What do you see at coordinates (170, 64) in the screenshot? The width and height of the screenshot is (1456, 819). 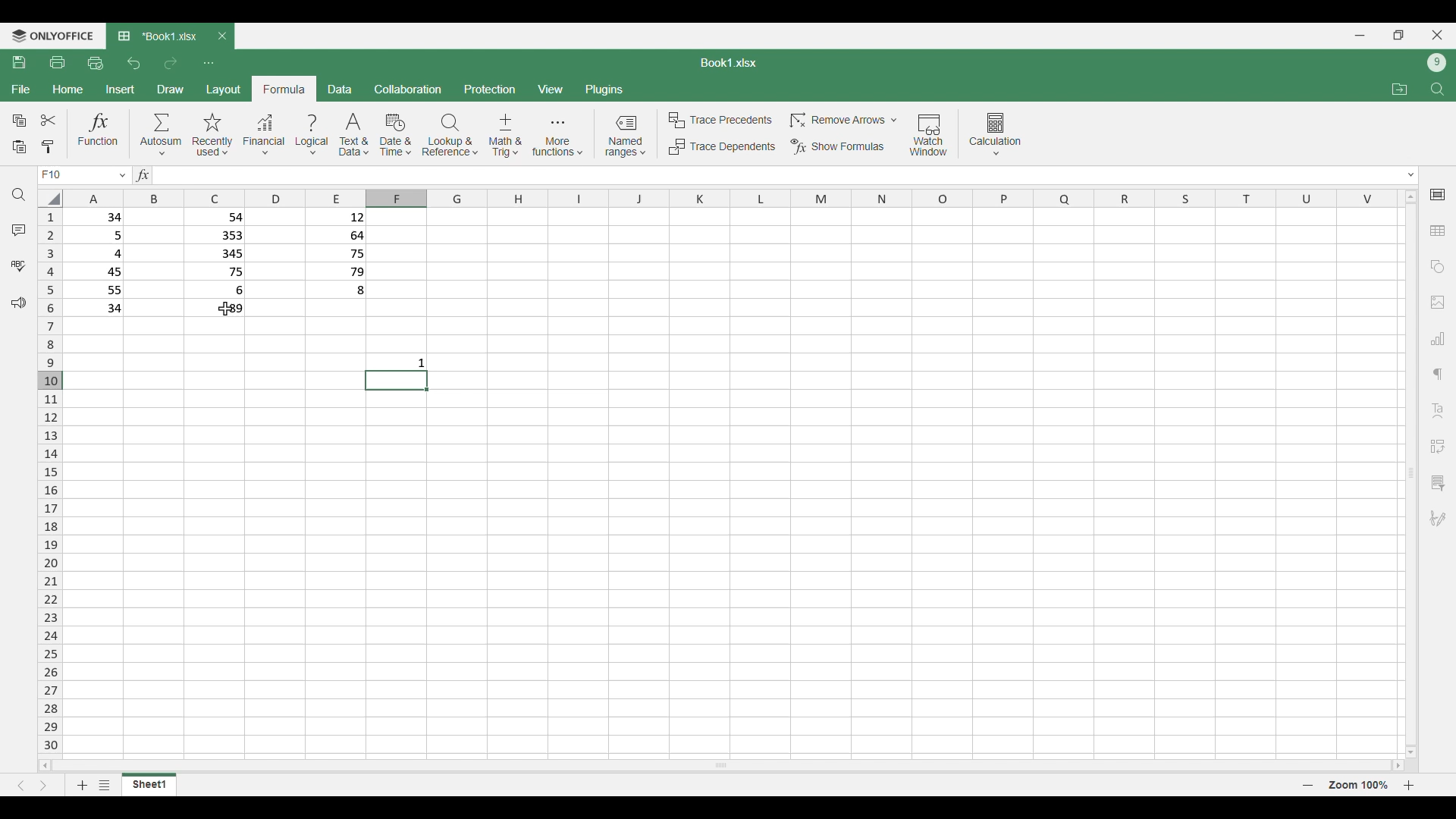 I see `Redo` at bounding box center [170, 64].